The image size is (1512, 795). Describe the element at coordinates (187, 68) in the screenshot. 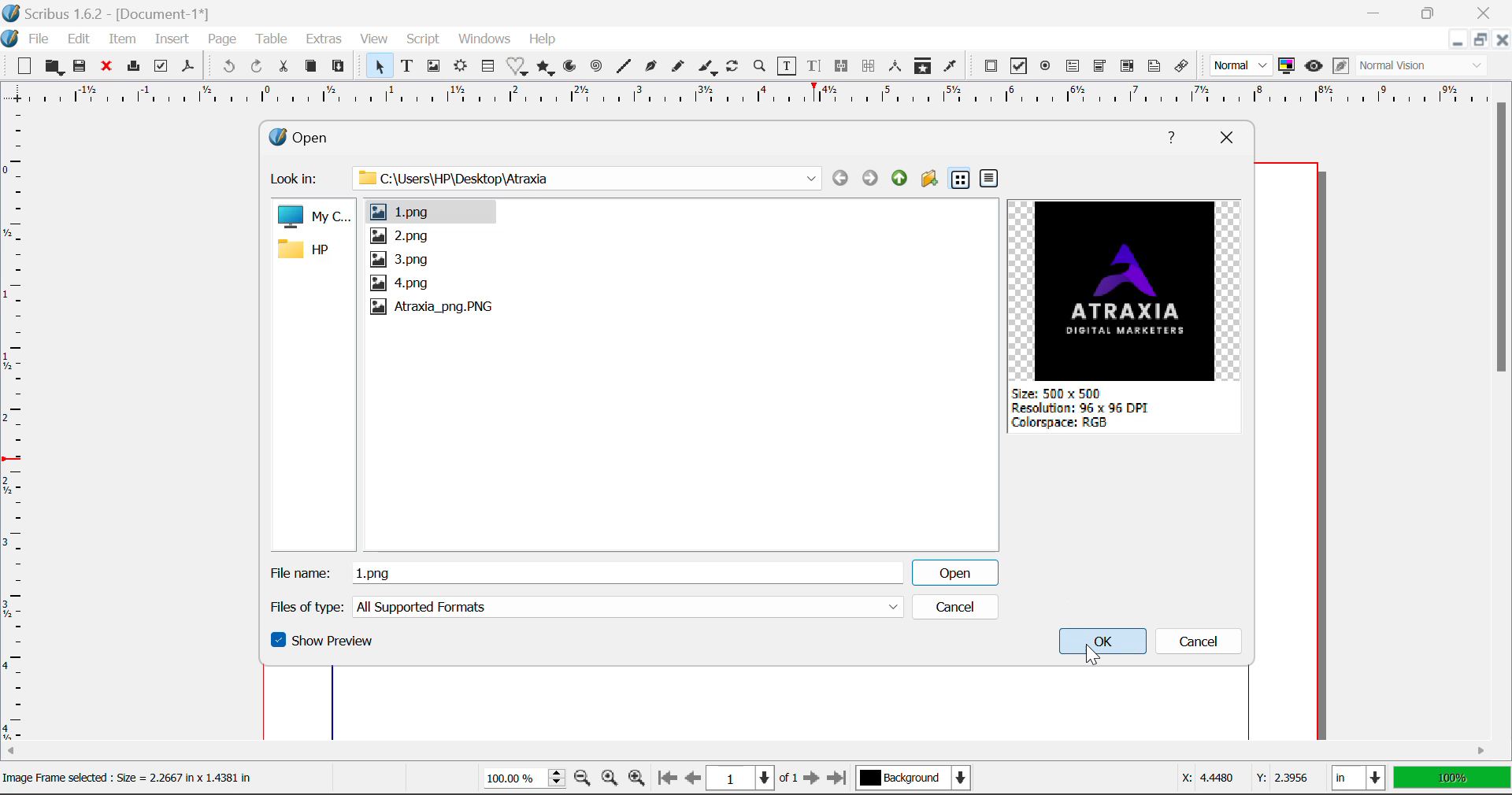

I see `Save as Pdf` at that location.